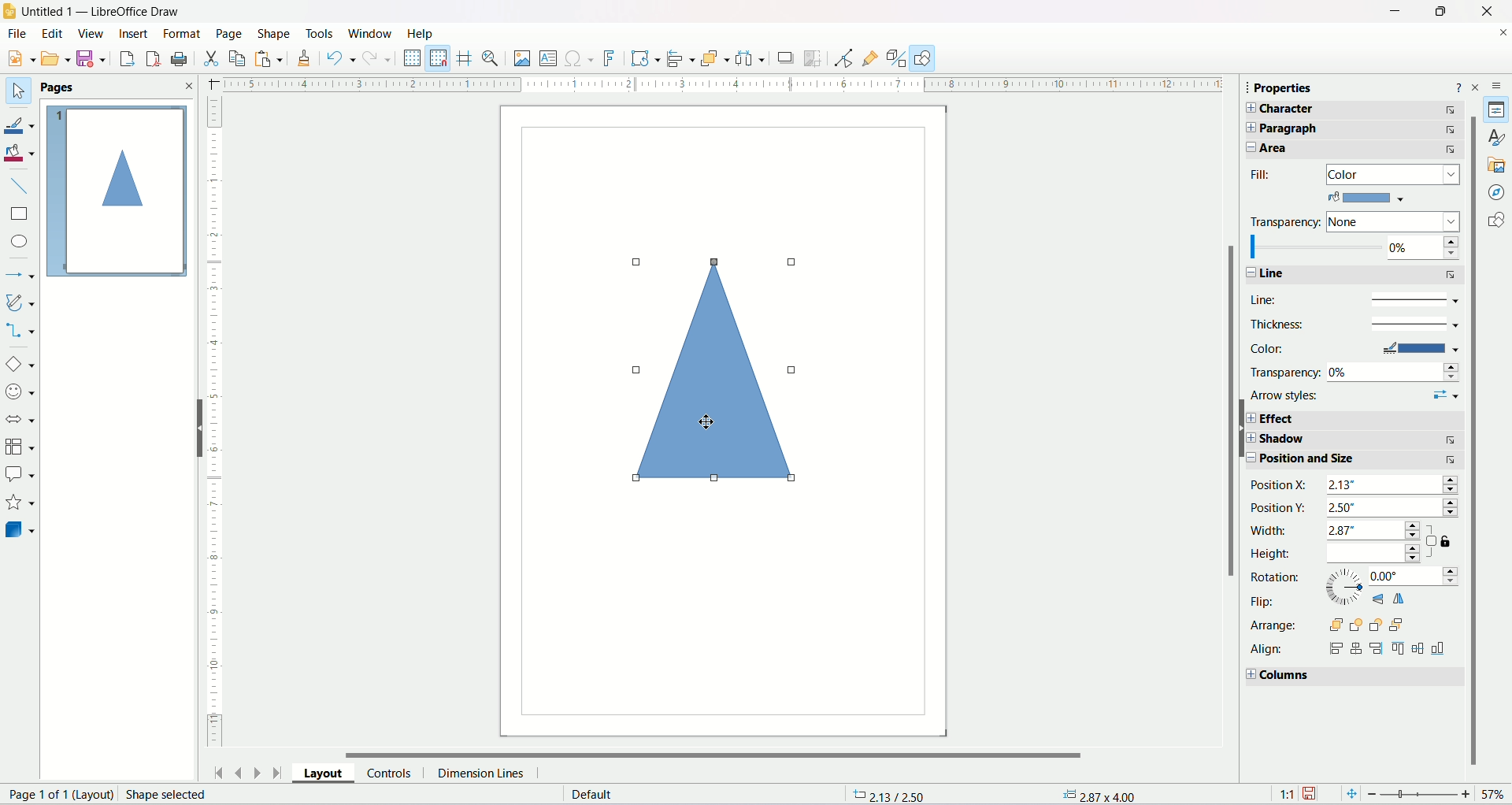  I want to click on position and size, so click(1360, 459).